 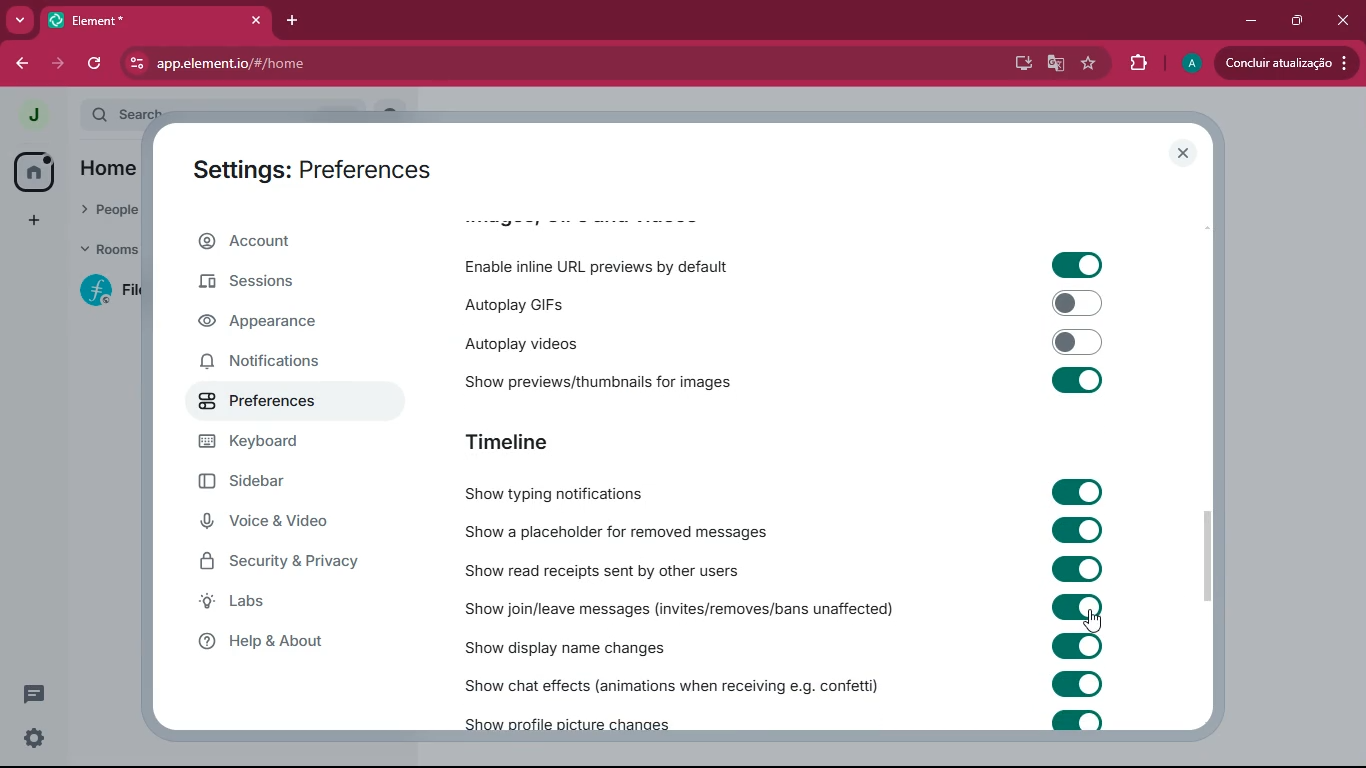 What do you see at coordinates (1078, 342) in the screenshot?
I see `toggle on/off` at bounding box center [1078, 342].